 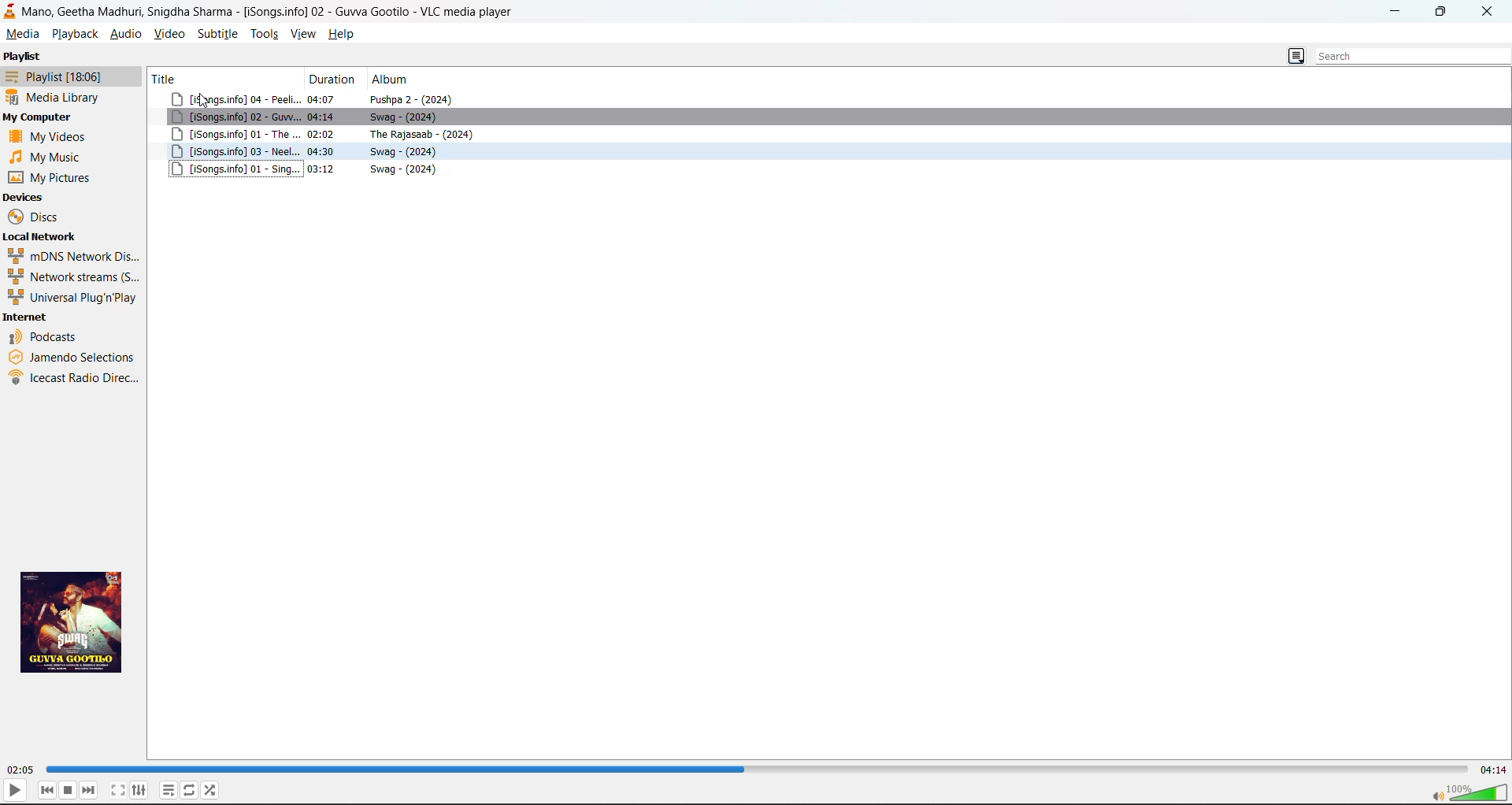 I want to click on close, so click(x=1486, y=13).